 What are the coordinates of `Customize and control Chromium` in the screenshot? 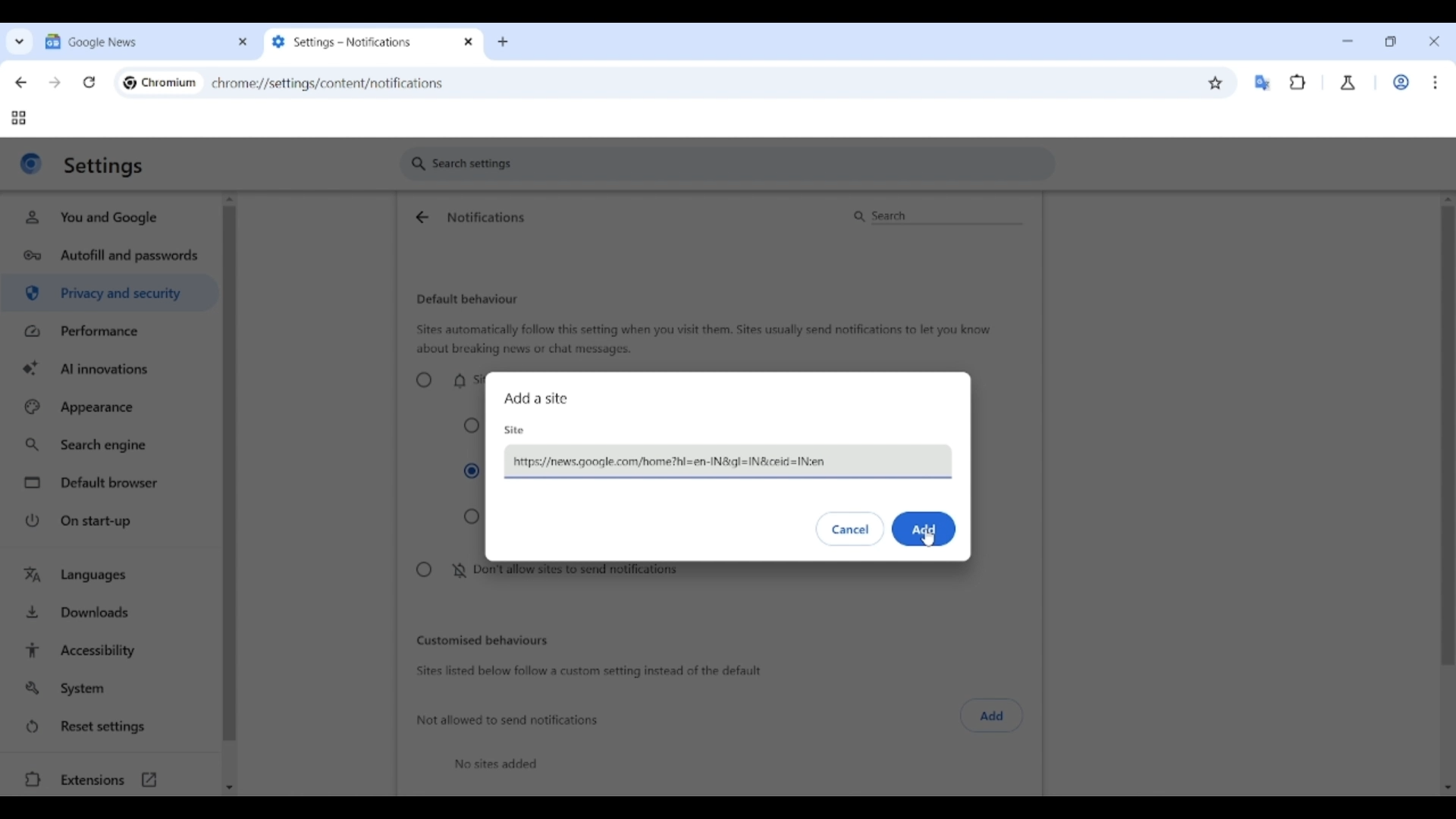 It's located at (1435, 82).